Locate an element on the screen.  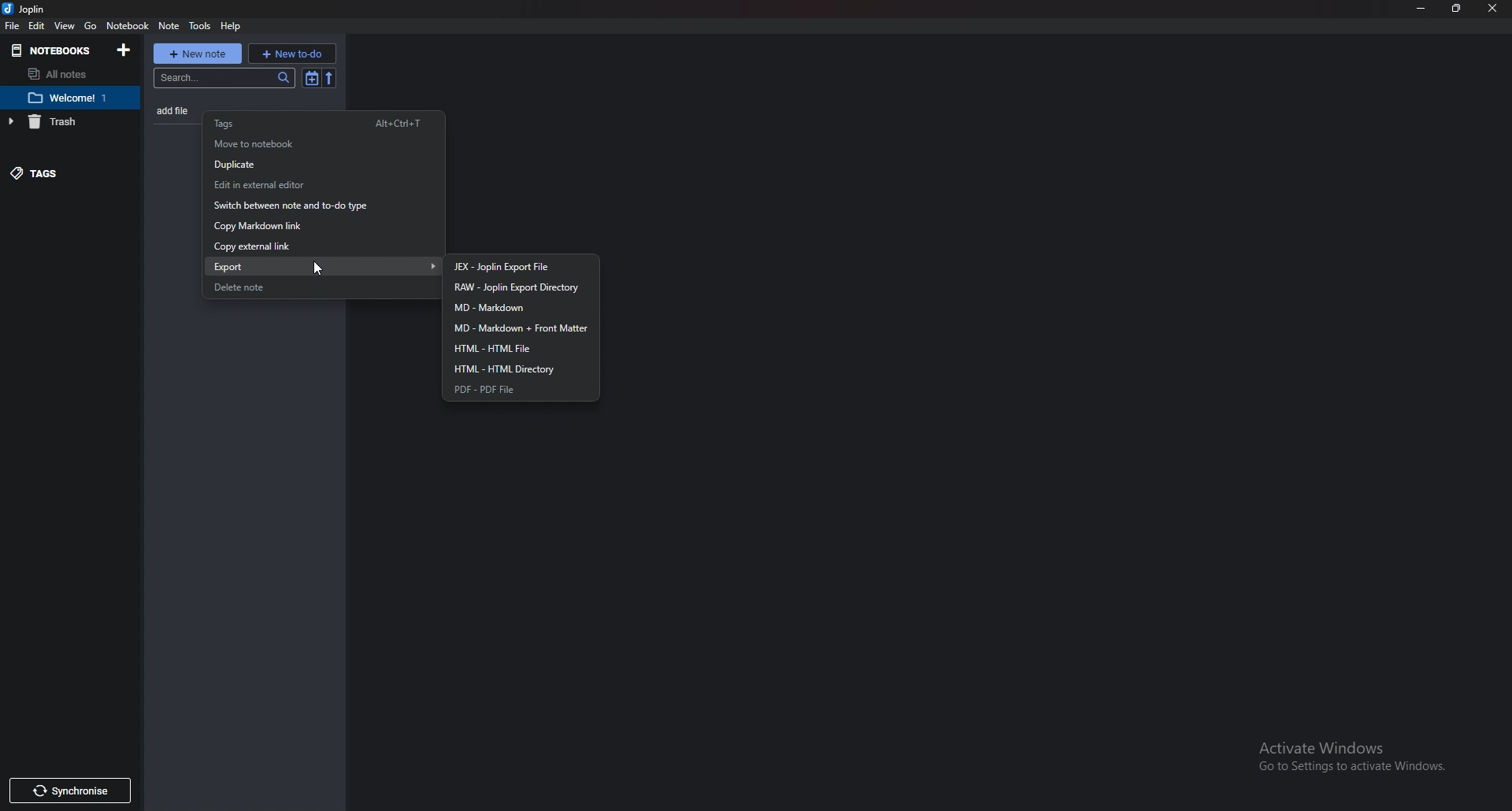
Tags is located at coordinates (58, 172).